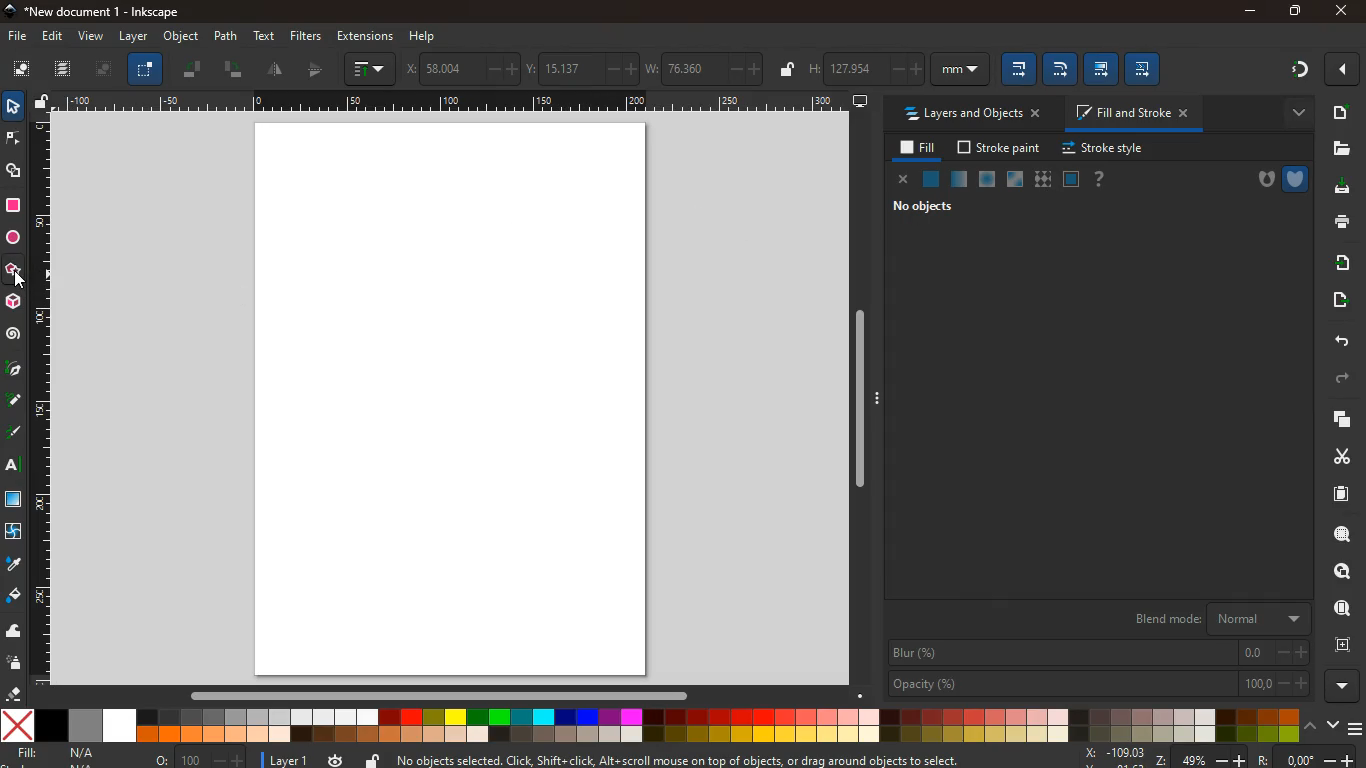 Image resolution: width=1366 pixels, height=768 pixels. I want to click on fill, so click(917, 148).